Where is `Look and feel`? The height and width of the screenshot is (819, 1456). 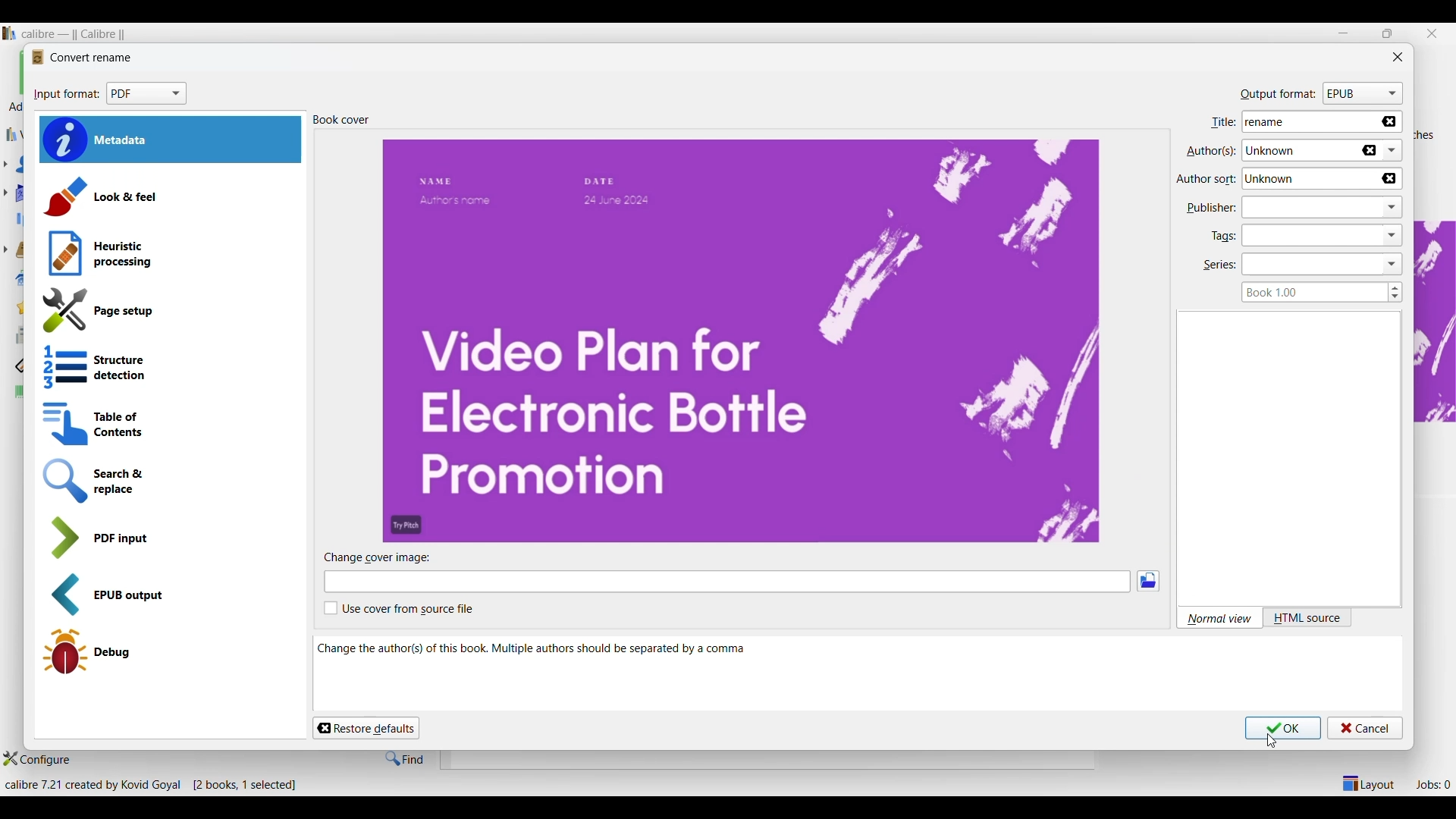
Look and feel is located at coordinates (169, 197).